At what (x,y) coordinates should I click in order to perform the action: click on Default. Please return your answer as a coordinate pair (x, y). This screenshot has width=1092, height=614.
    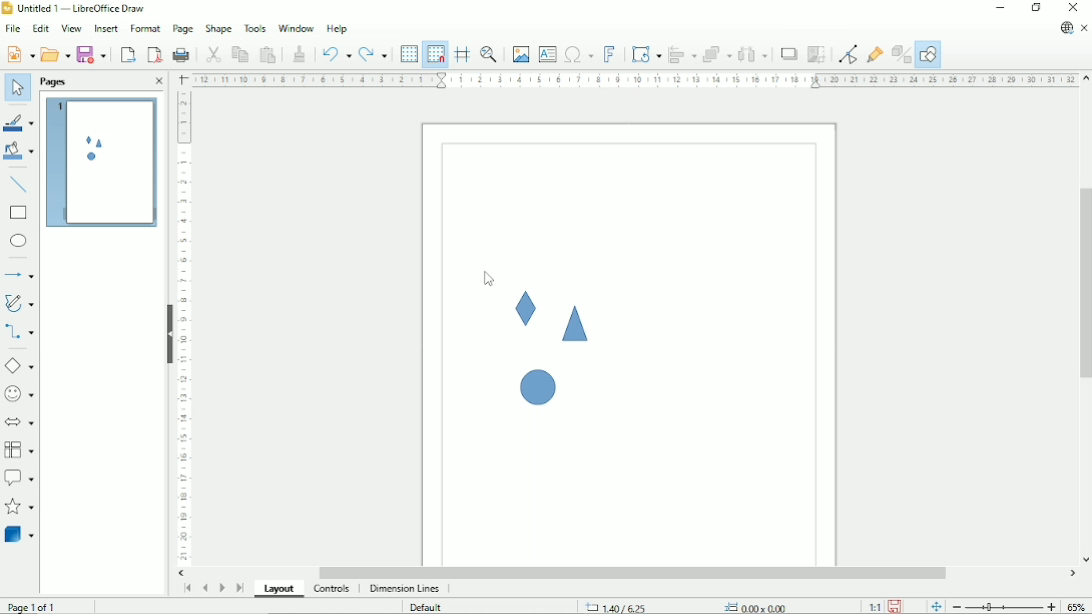
    Looking at the image, I should click on (425, 607).